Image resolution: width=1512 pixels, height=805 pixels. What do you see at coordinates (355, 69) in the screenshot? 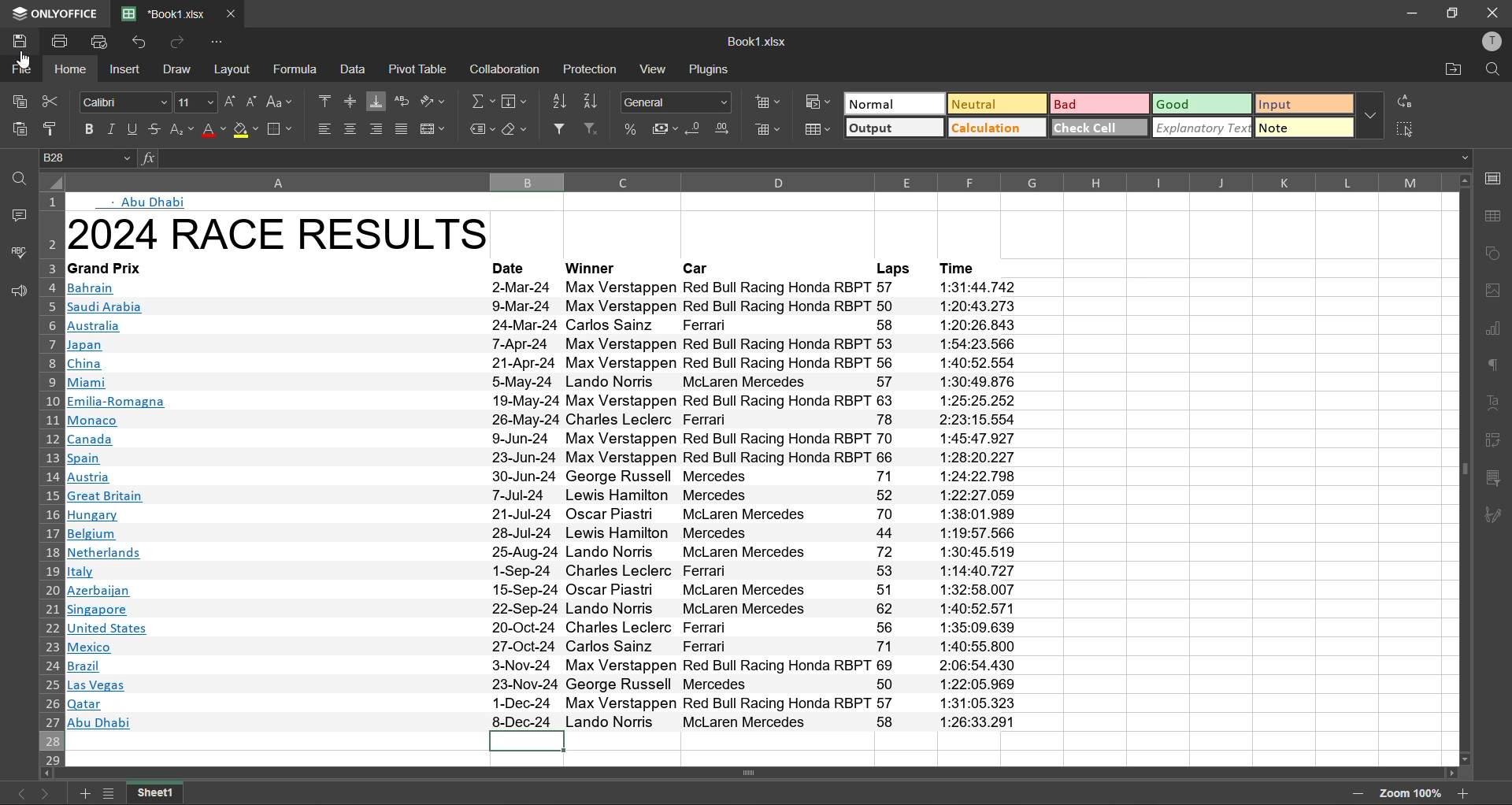
I see `data` at bounding box center [355, 69].